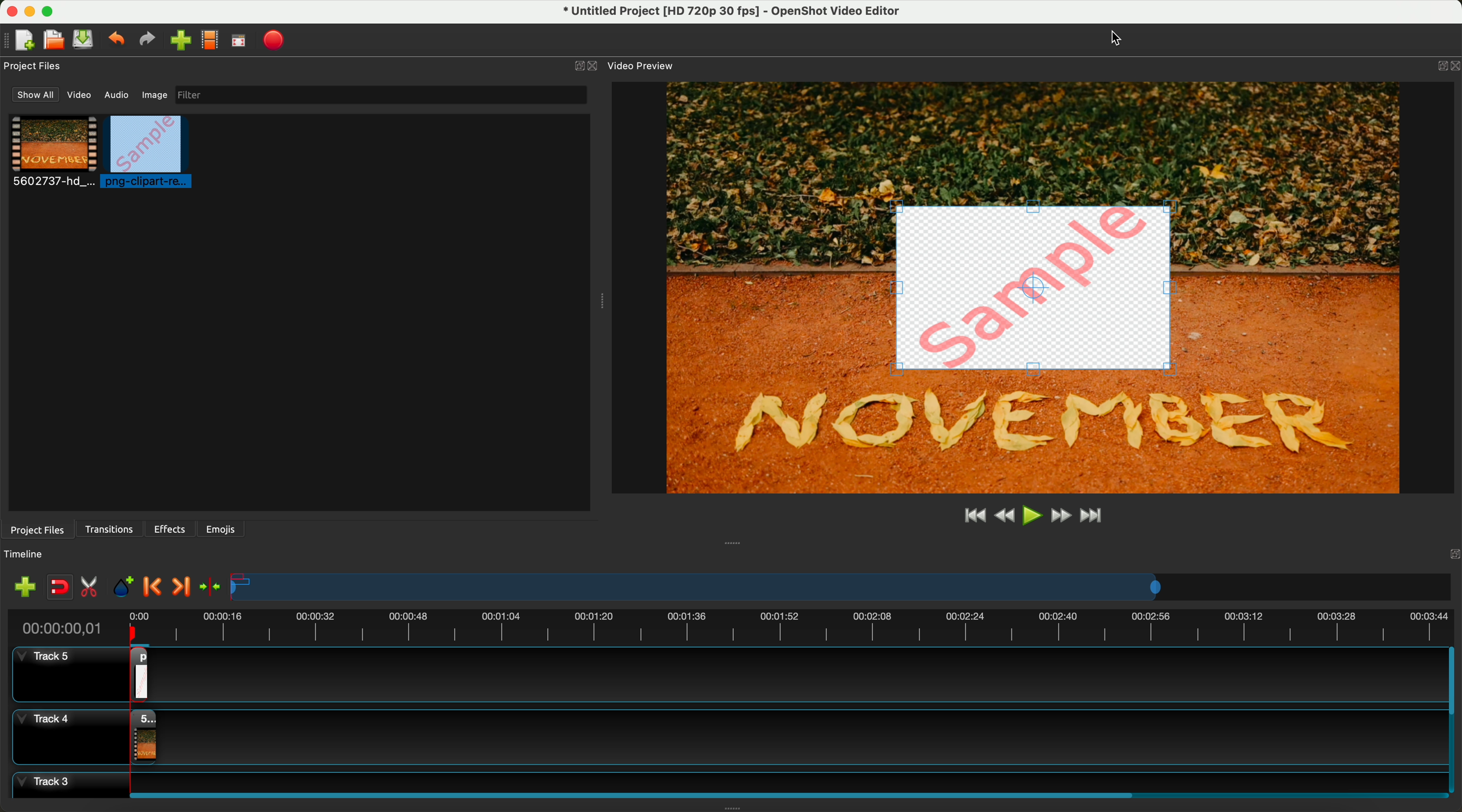 The height and width of the screenshot is (812, 1462). Describe the element at coordinates (1127, 37) in the screenshot. I see `Cursor` at that location.